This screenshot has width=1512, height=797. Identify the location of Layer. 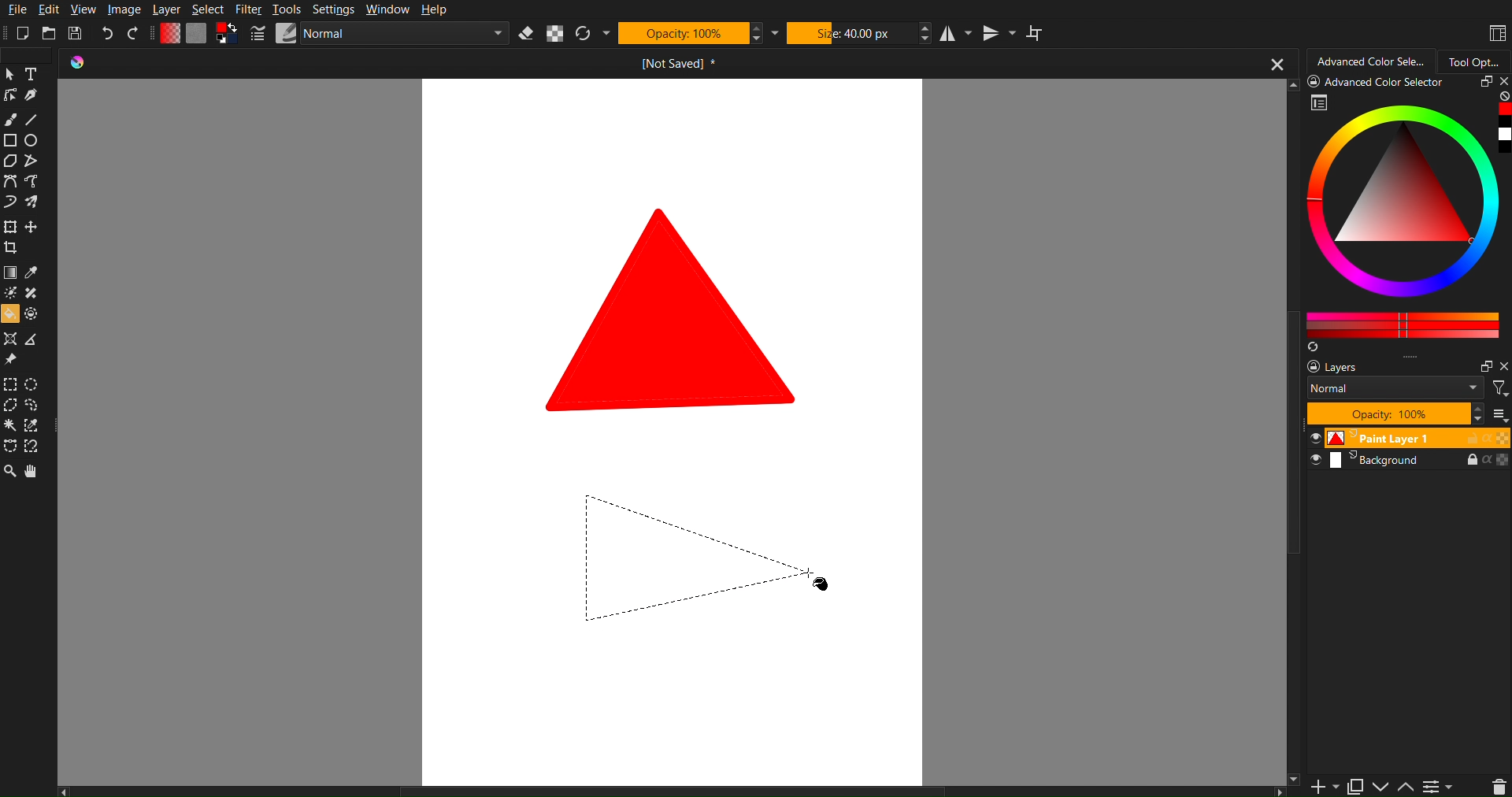
(166, 9).